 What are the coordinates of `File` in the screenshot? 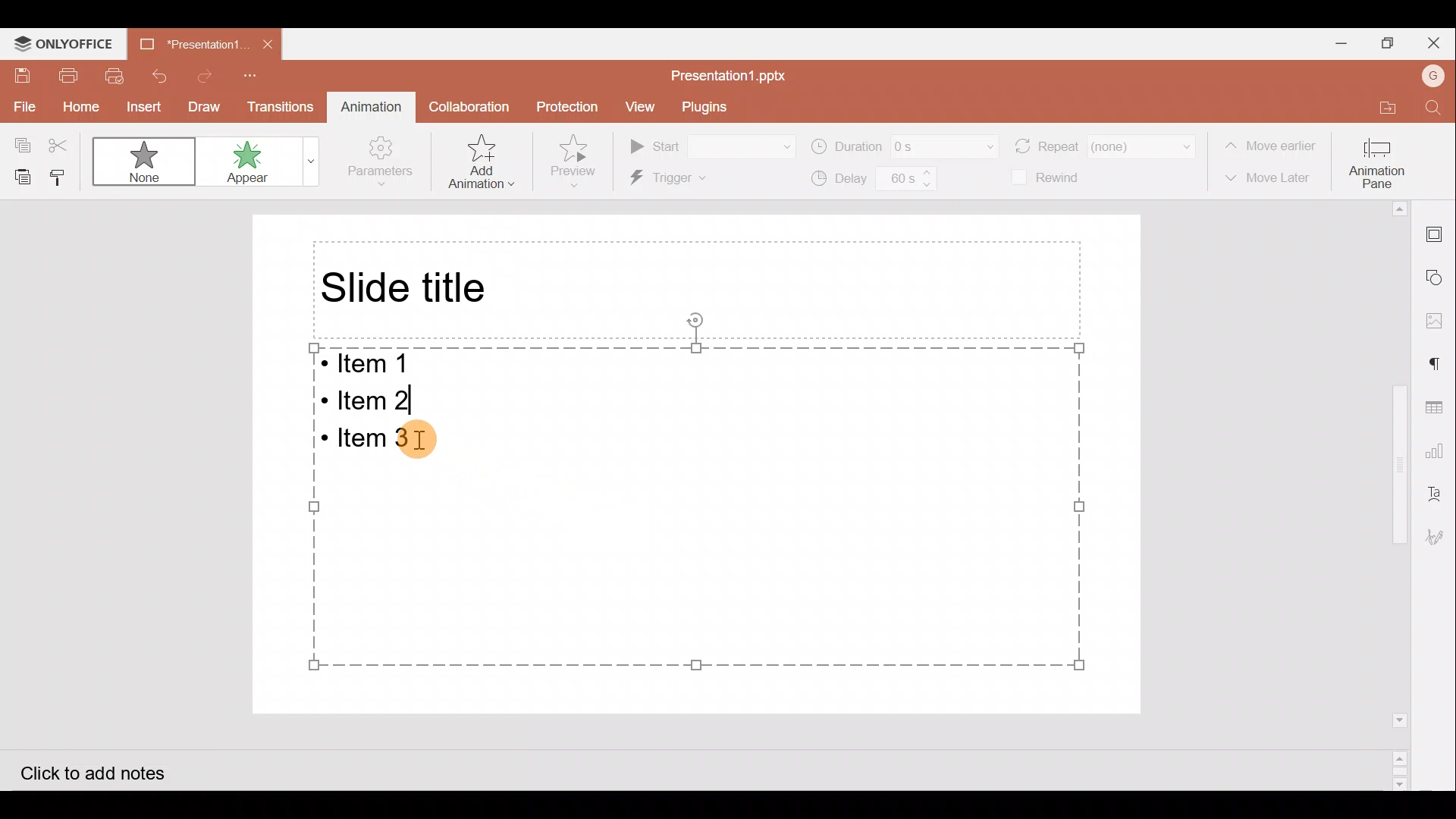 It's located at (19, 105).